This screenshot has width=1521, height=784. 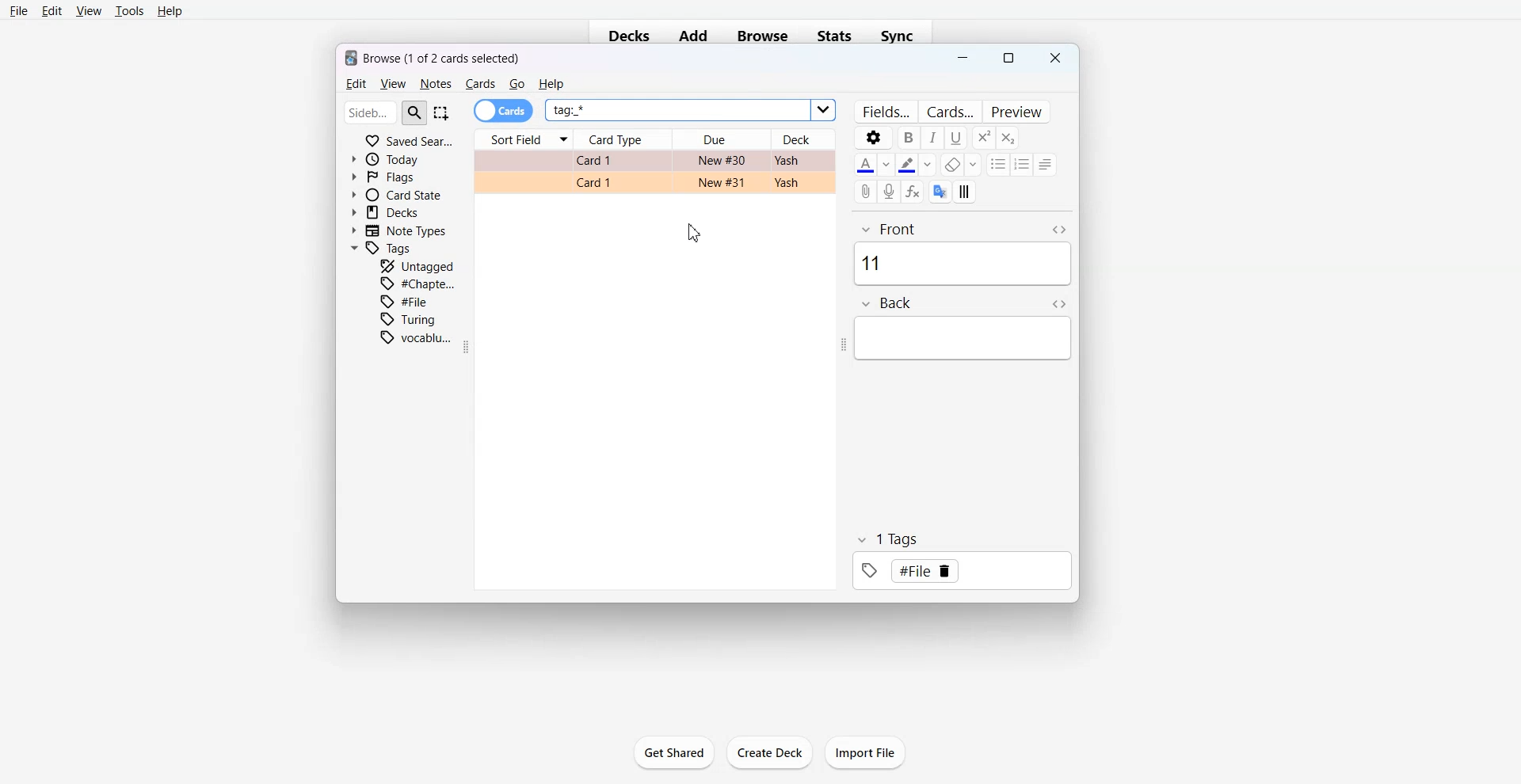 What do you see at coordinates (867, 752) in the screenshot?
I see `Import File` at bounding box center [867, 752].